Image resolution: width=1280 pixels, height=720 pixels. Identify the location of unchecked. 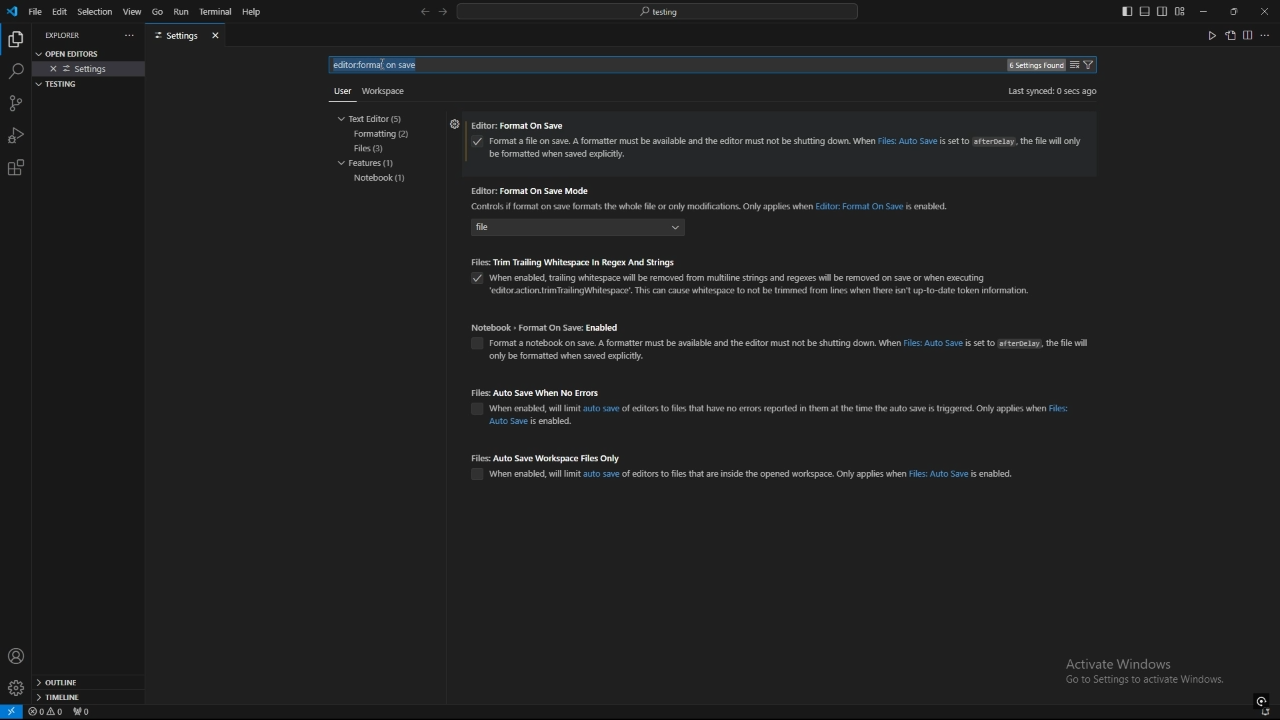
(477, 345).